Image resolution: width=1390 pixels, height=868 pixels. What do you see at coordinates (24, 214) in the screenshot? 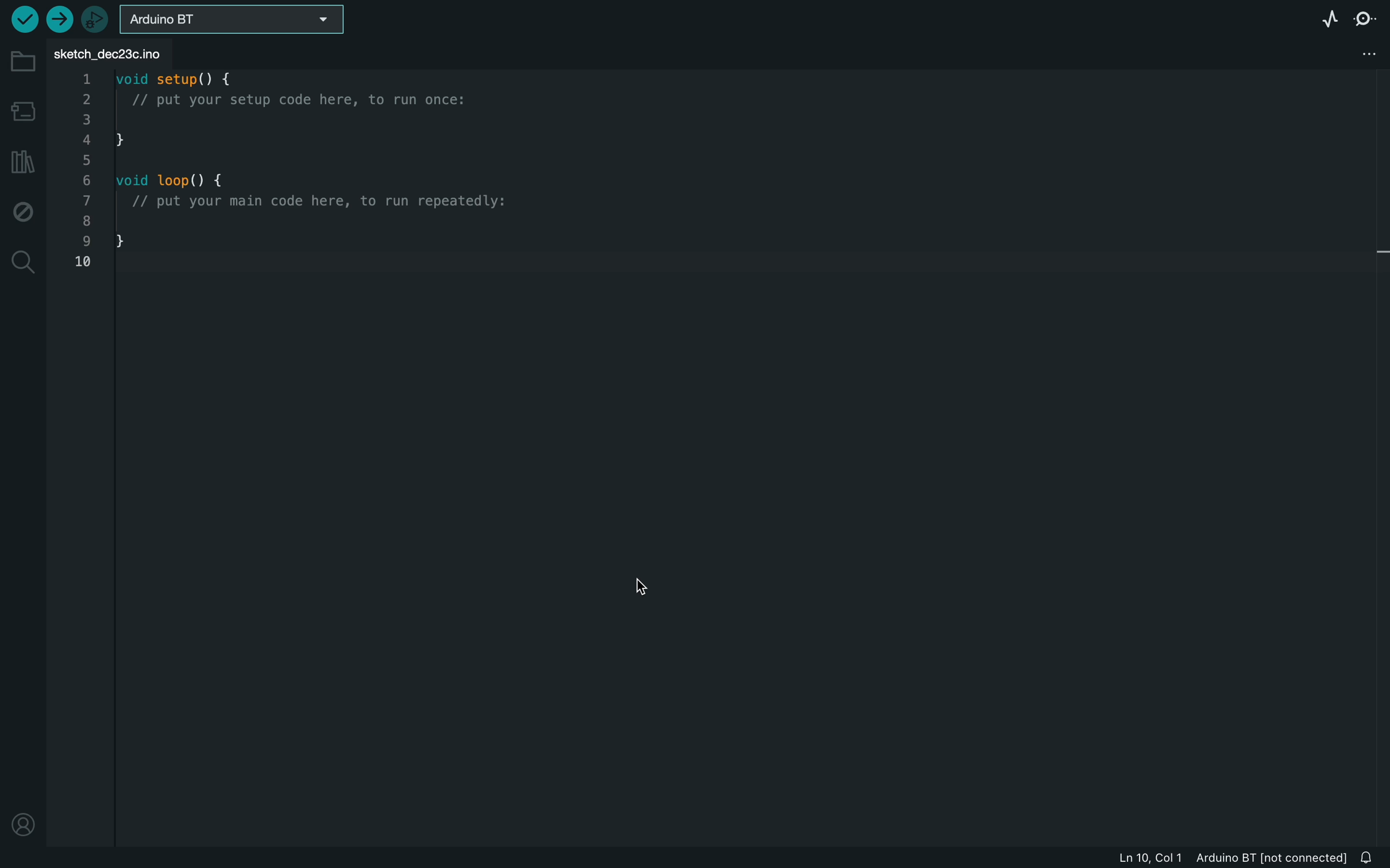
I see `debug` at bounding box center [24, 214].